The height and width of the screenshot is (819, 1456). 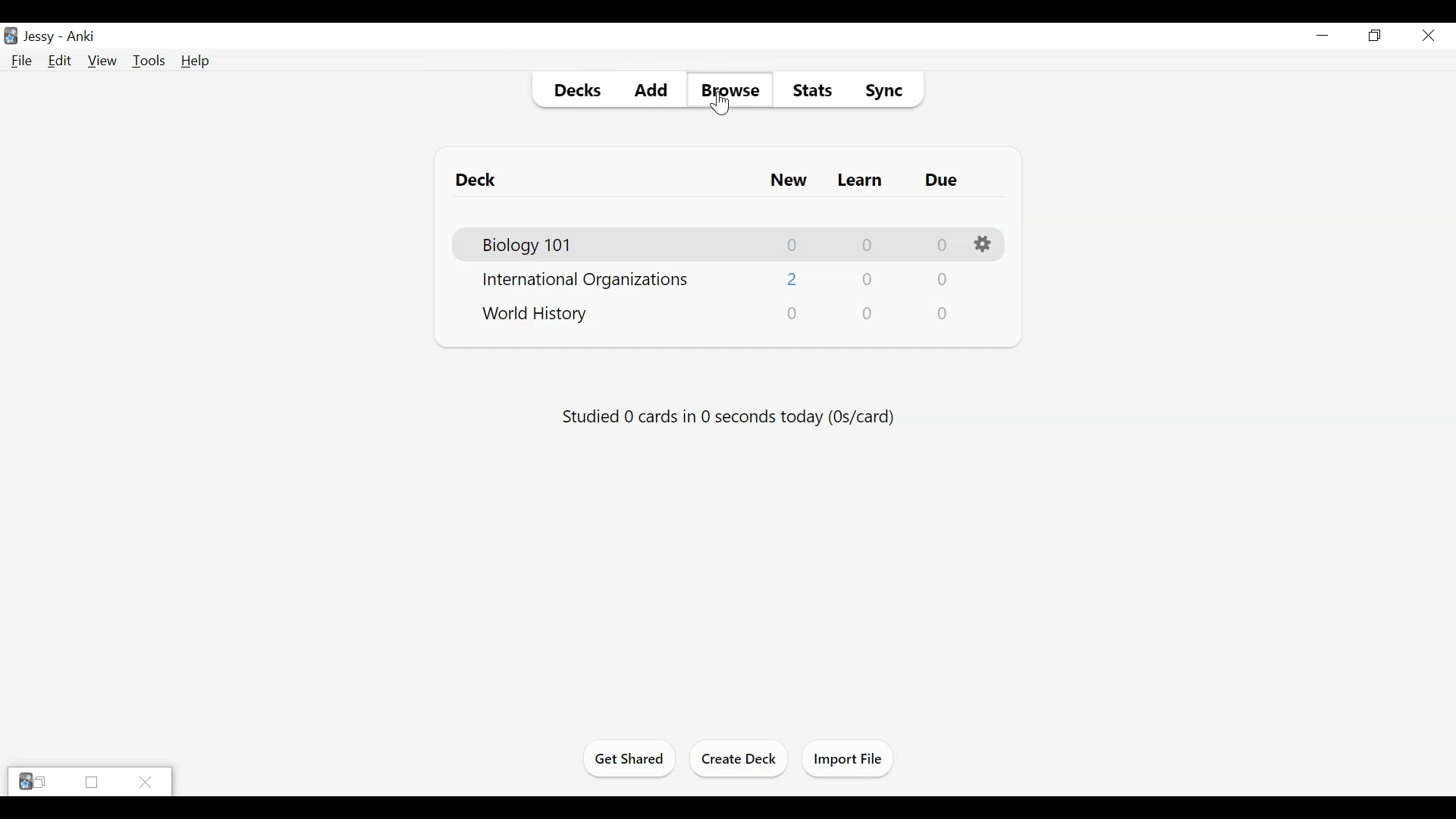 What do you see at coordinates (58, 61) in the screenshot?
I see `Edit` at bounding box center [58, 61].